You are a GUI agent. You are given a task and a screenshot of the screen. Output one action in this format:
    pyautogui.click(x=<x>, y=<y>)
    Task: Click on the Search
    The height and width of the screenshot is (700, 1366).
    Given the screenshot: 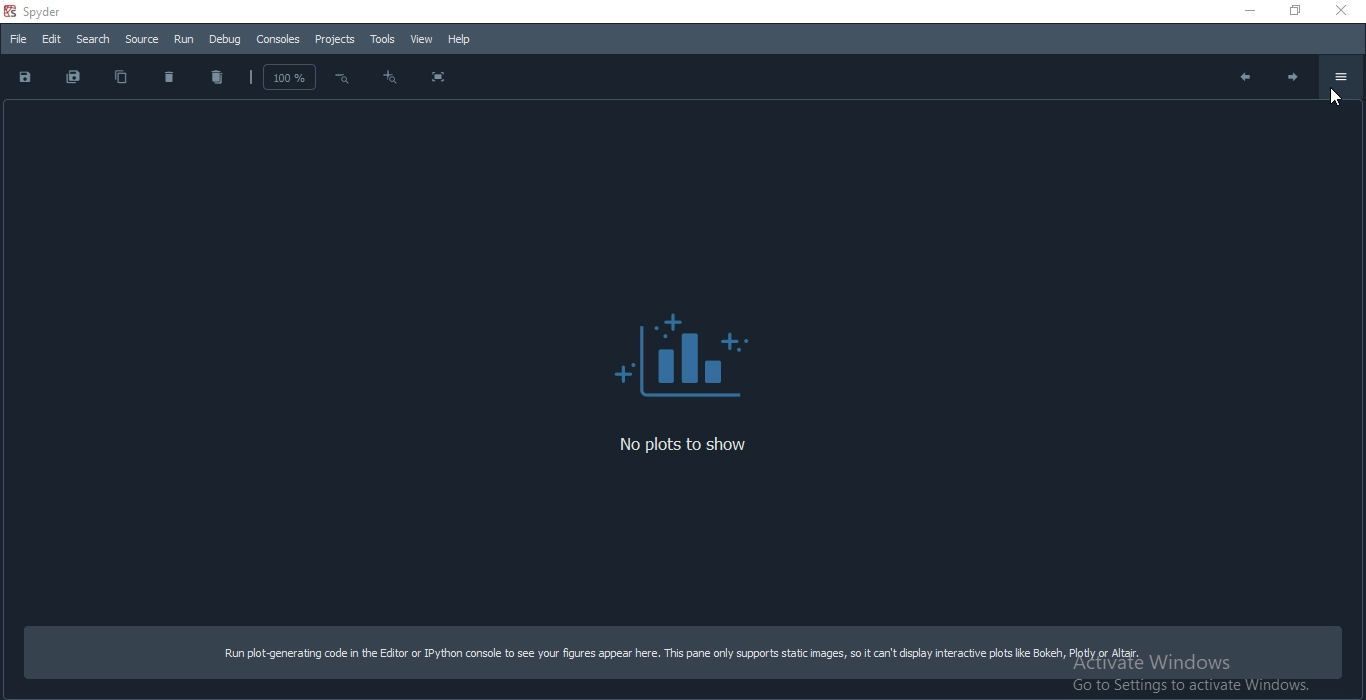 What is the action you would take?
    pyautogui.click(x=92, y=38)
    